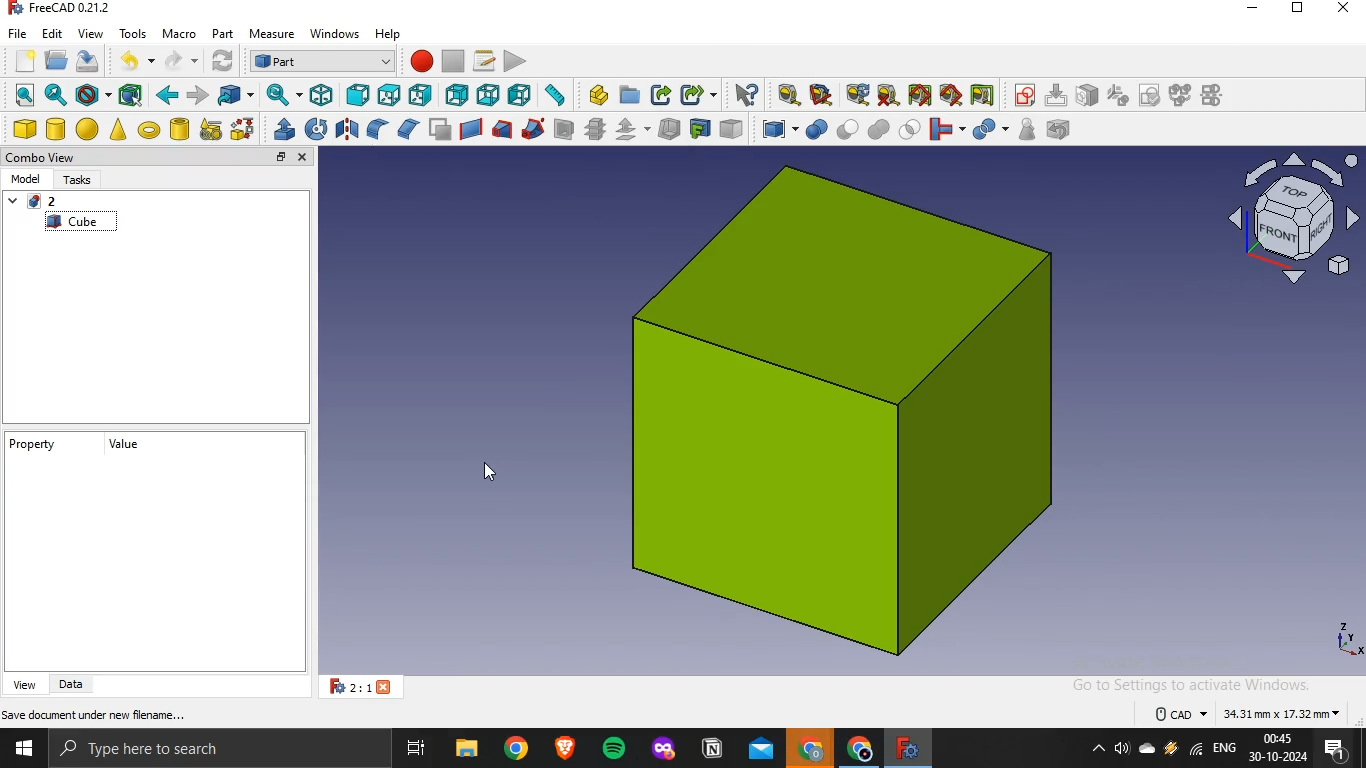 This screenshot has height=768, width=1366. What do you see at coordinates (211, 129) in the screenshot?
I see `create primitive` at bounding box center [211, 129].